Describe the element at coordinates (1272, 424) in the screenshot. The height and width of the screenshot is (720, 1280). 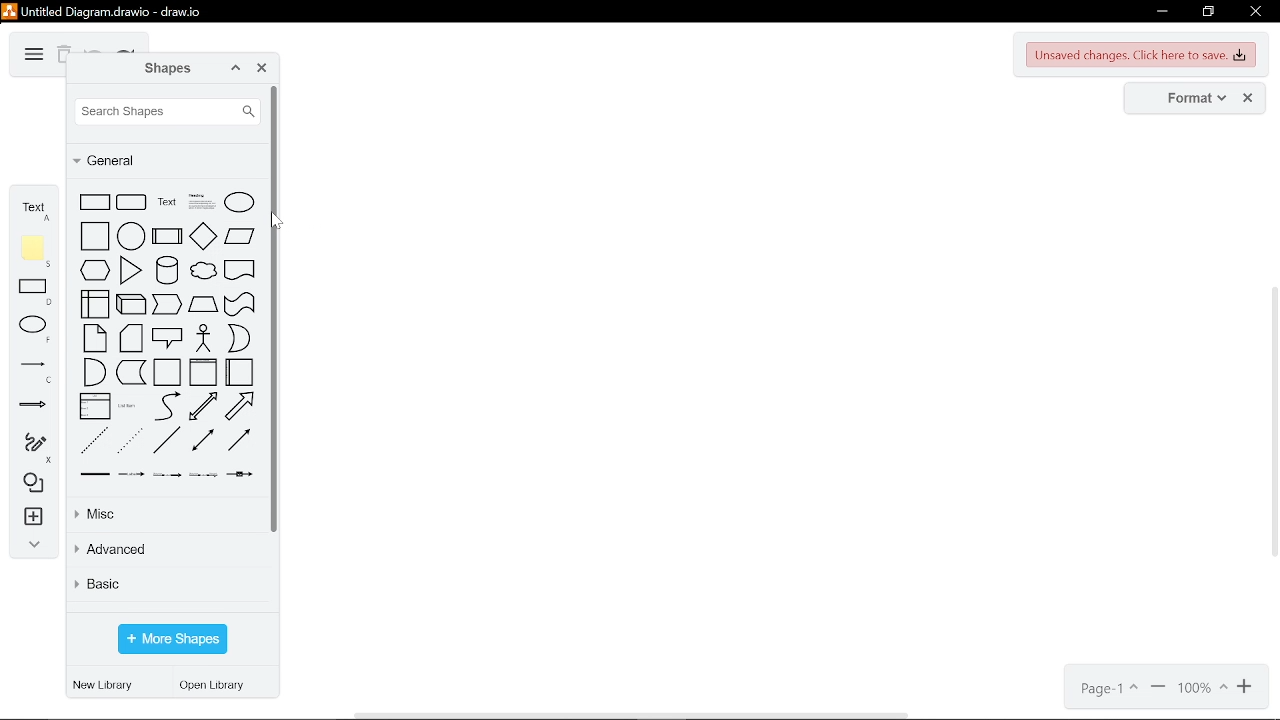
I see `vertical scroll bar` at that location.